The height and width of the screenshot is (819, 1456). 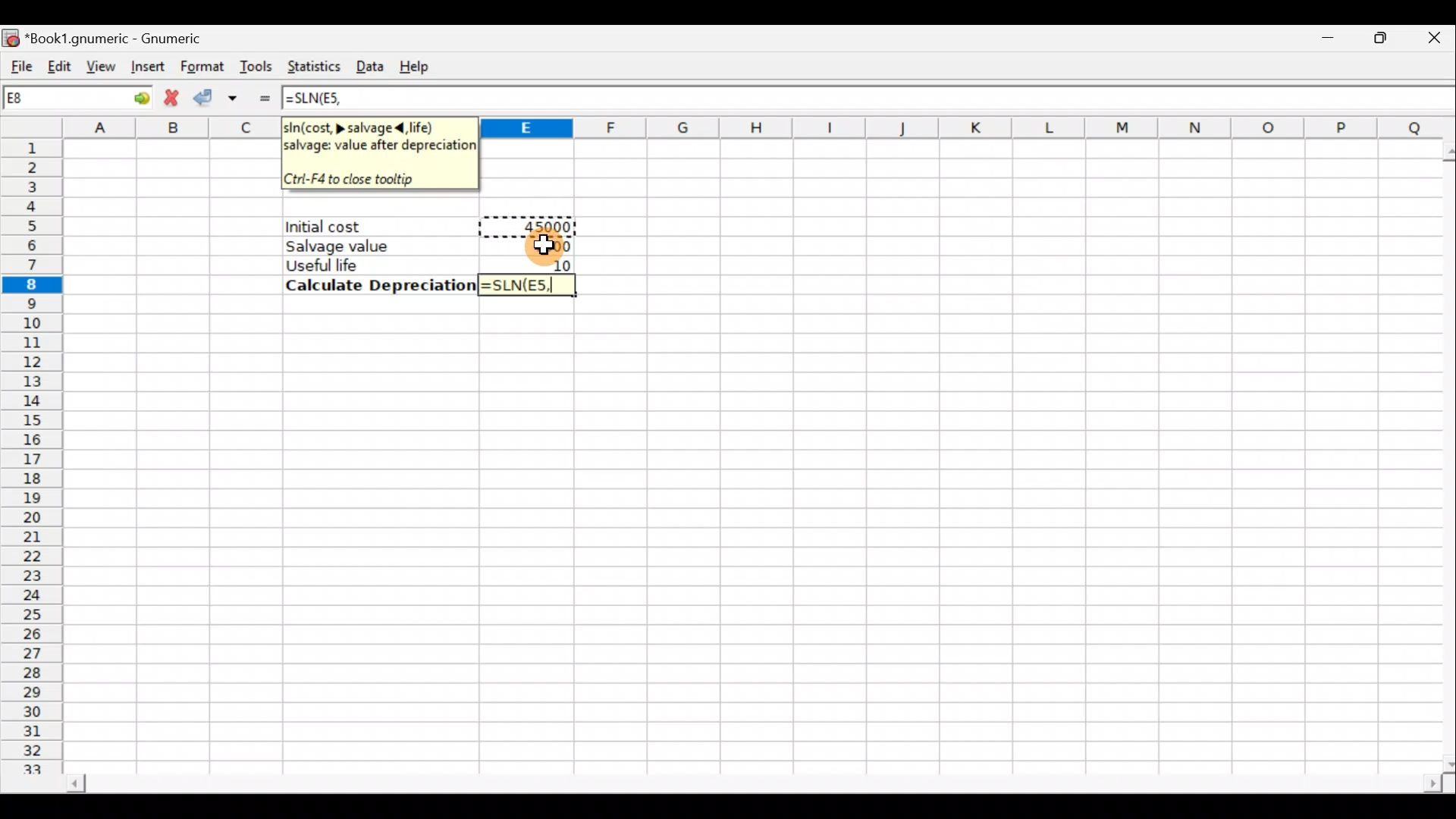 I want to click on Accept change, so click(x=219, y=96).